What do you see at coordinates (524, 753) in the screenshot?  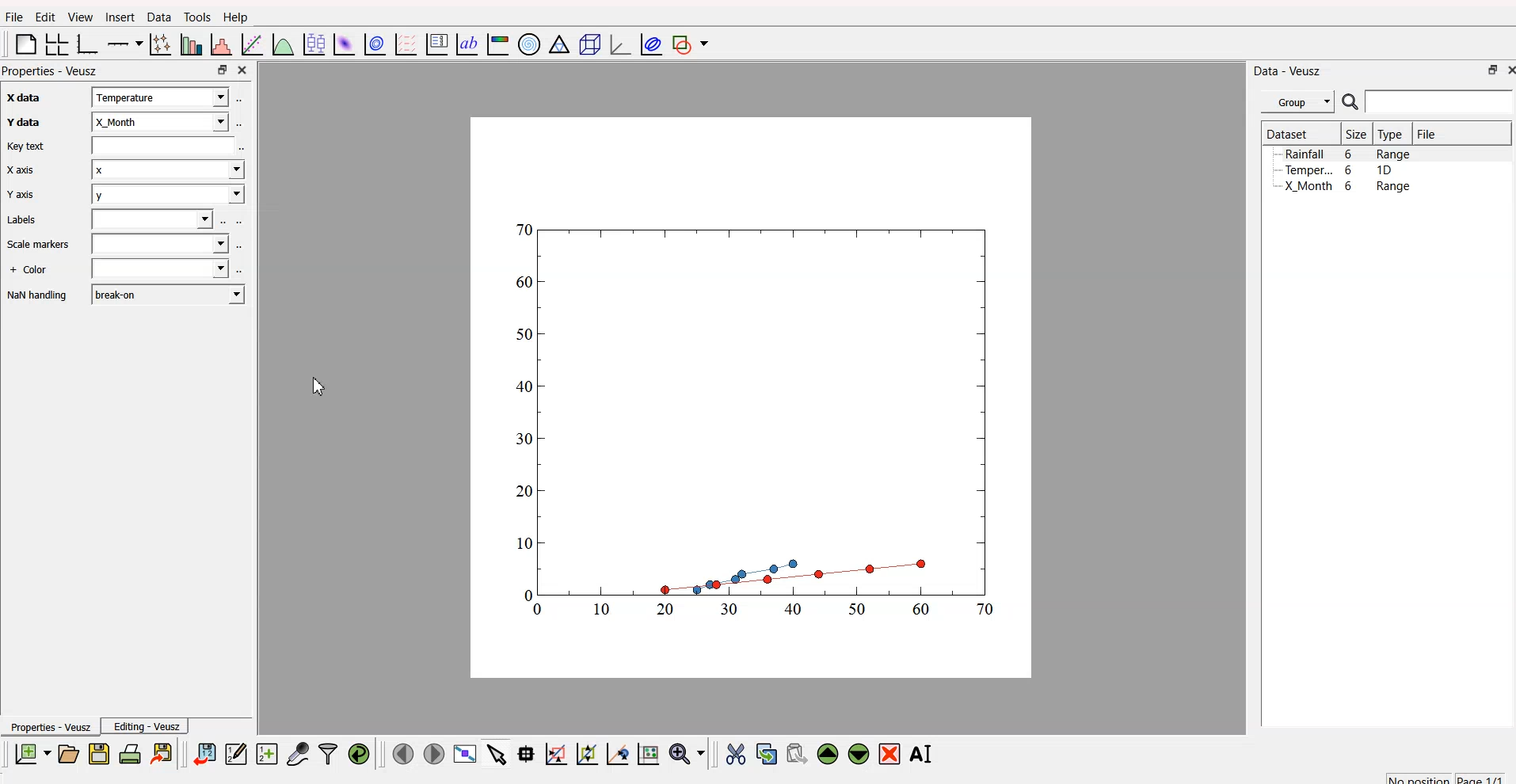 I see `read datapoint on graph` at bounding box center [524, 753].